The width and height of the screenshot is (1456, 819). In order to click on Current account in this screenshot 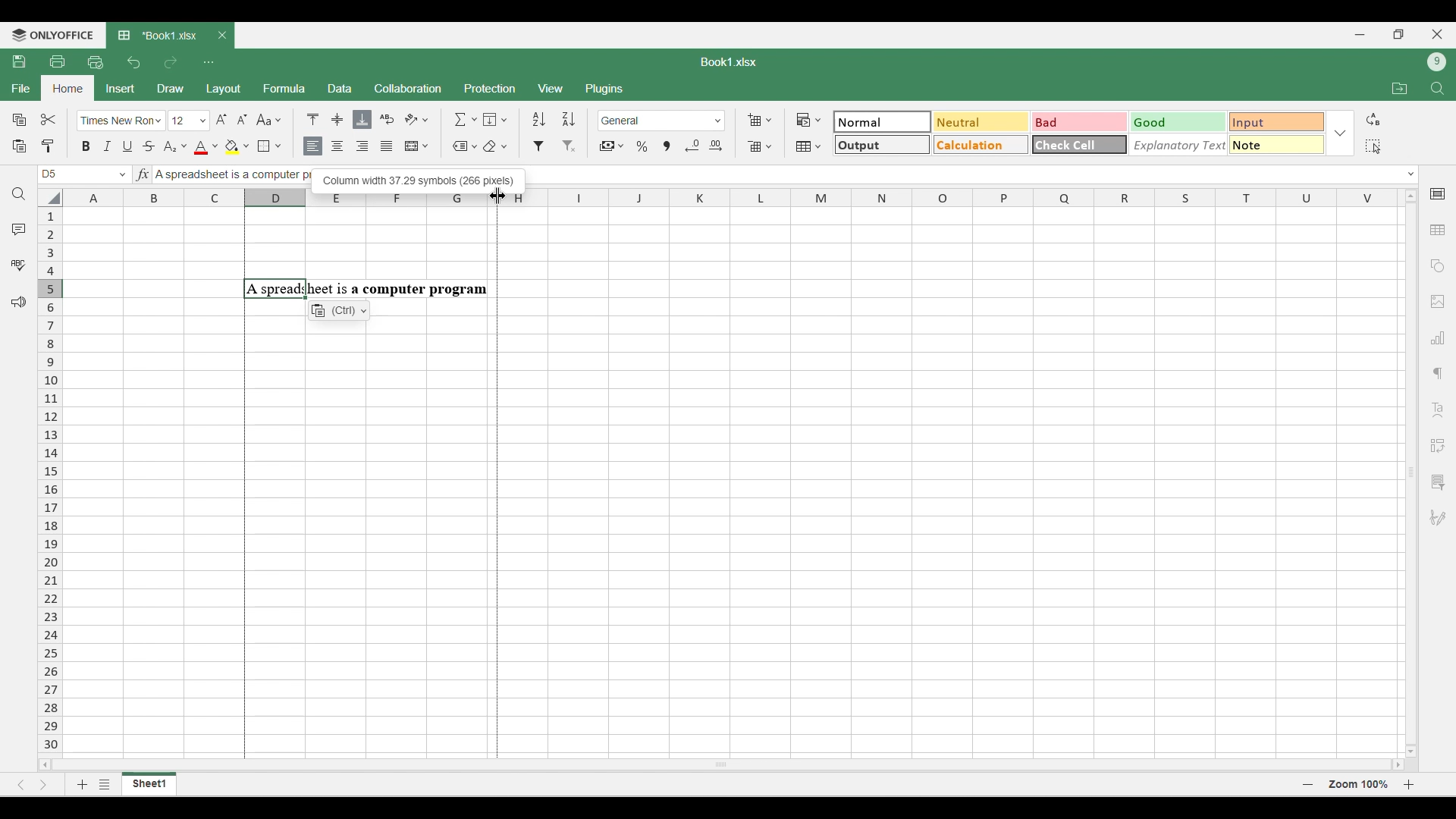, I will do `click(1437, 62)`.